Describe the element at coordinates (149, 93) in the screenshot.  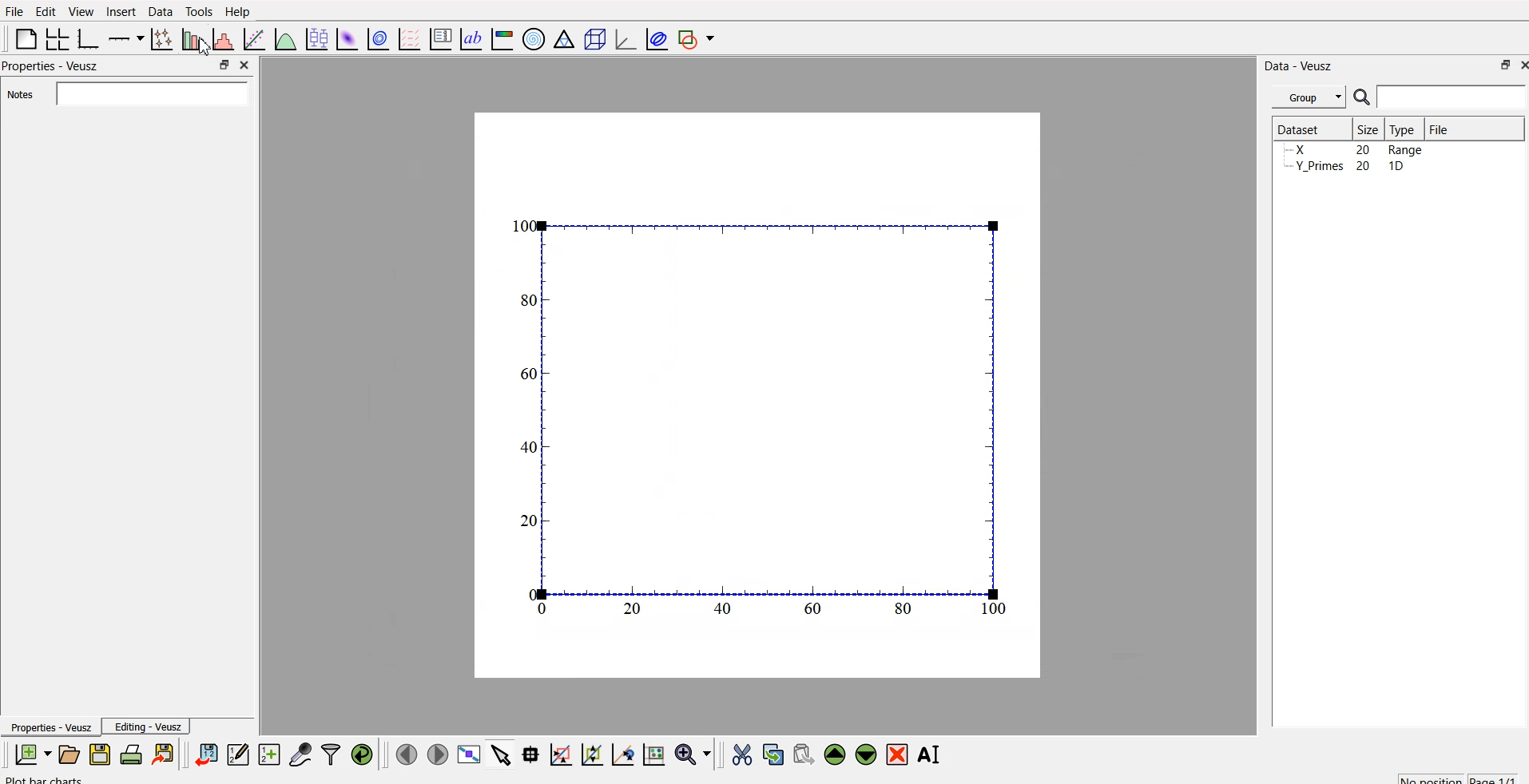
I see `search bar` at that location.